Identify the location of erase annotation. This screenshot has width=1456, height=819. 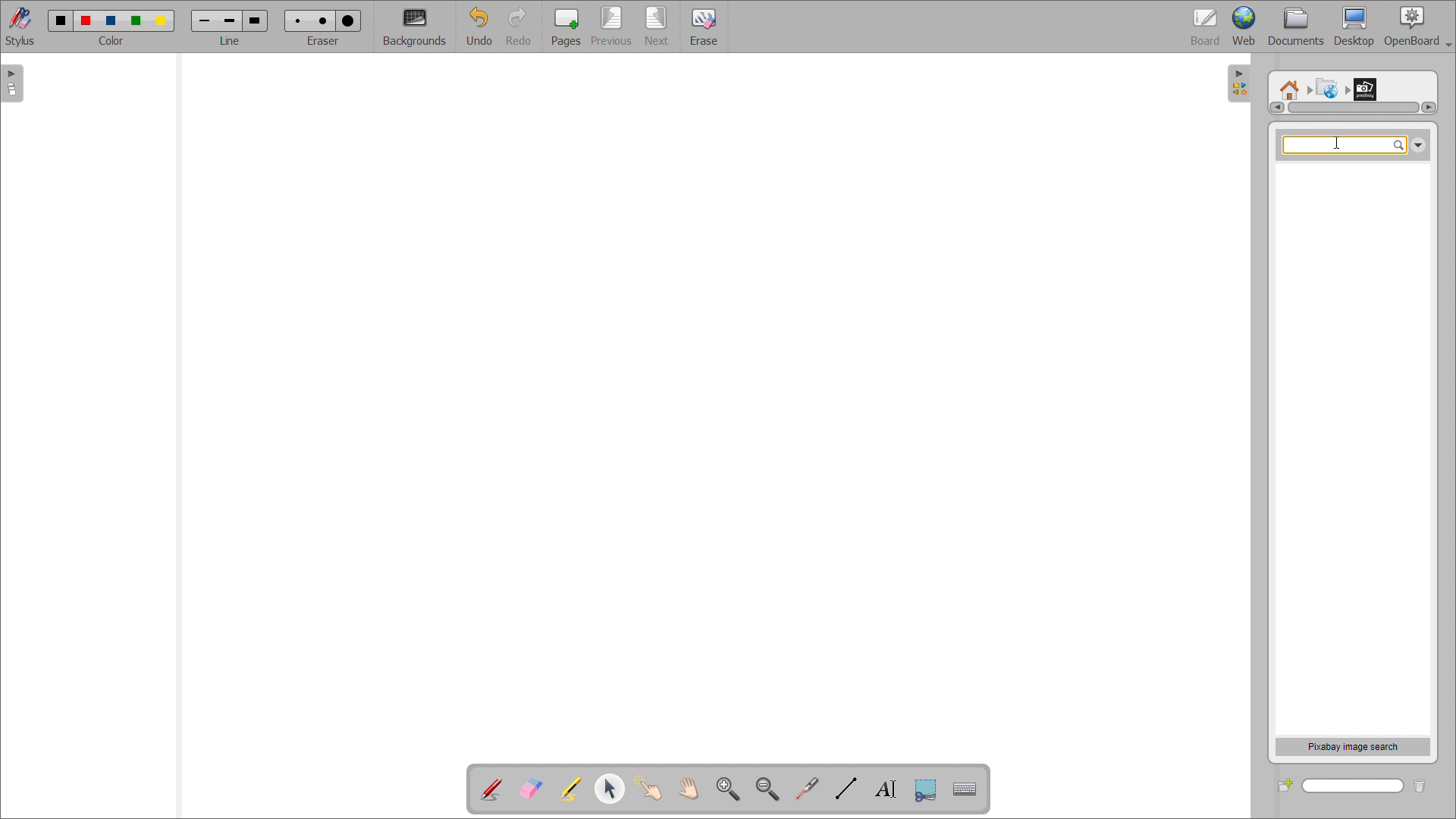
(532, 788).